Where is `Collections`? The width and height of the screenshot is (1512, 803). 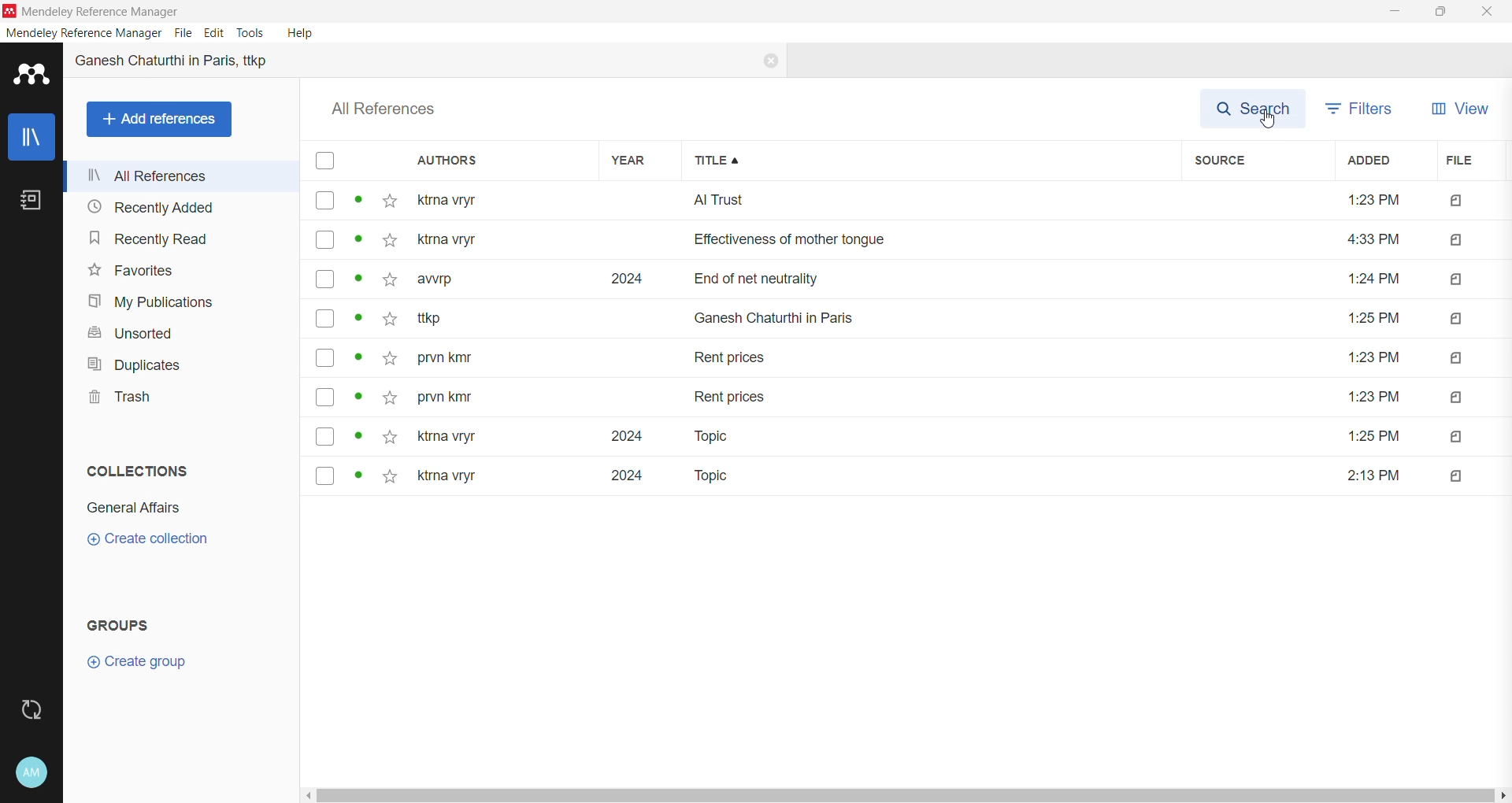
Collections is located at coordinates (139, 470).